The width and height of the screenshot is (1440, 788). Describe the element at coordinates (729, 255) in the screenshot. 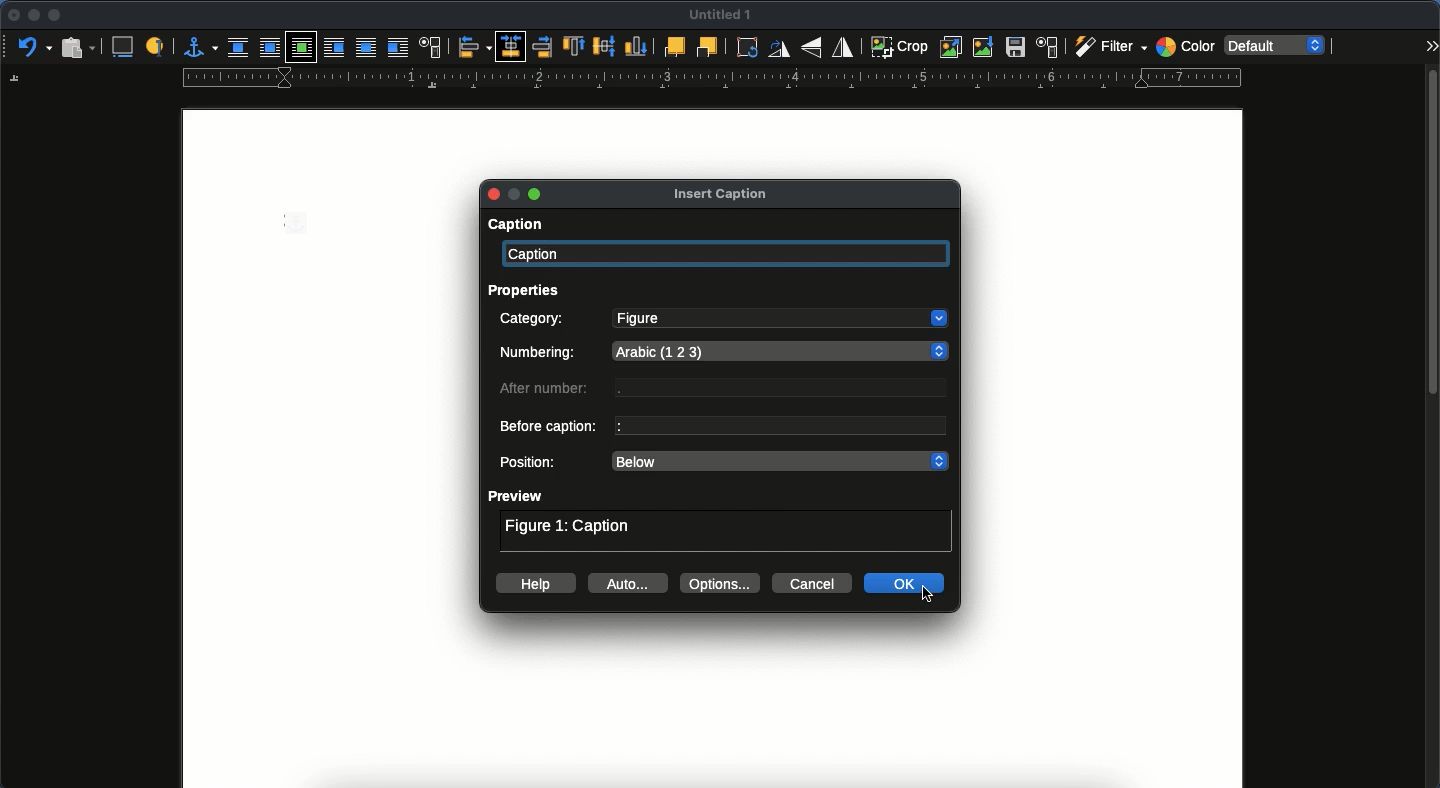

I see `caption` at that location.